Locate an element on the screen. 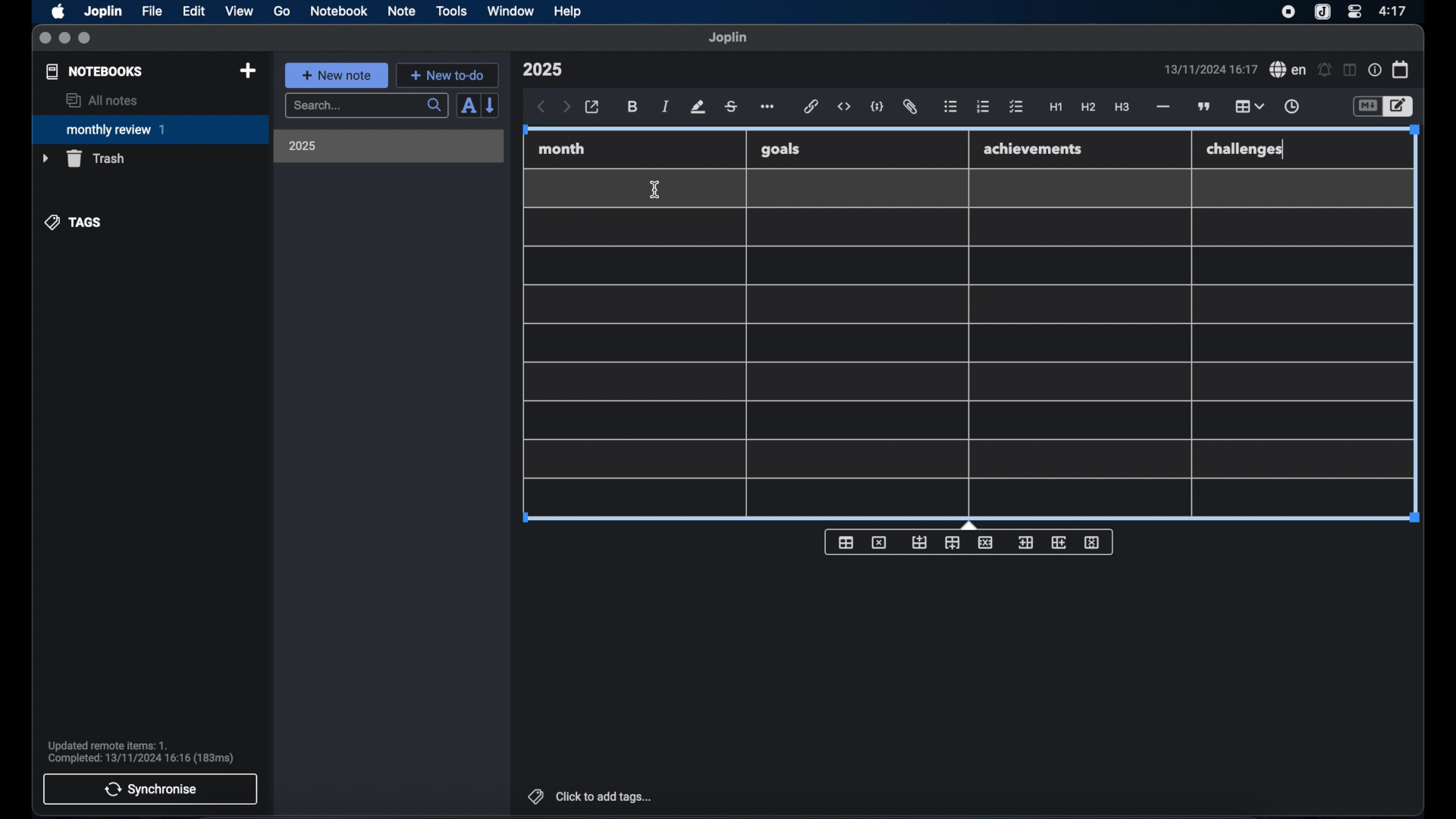  check  list is located at coordinates (1016, 108).